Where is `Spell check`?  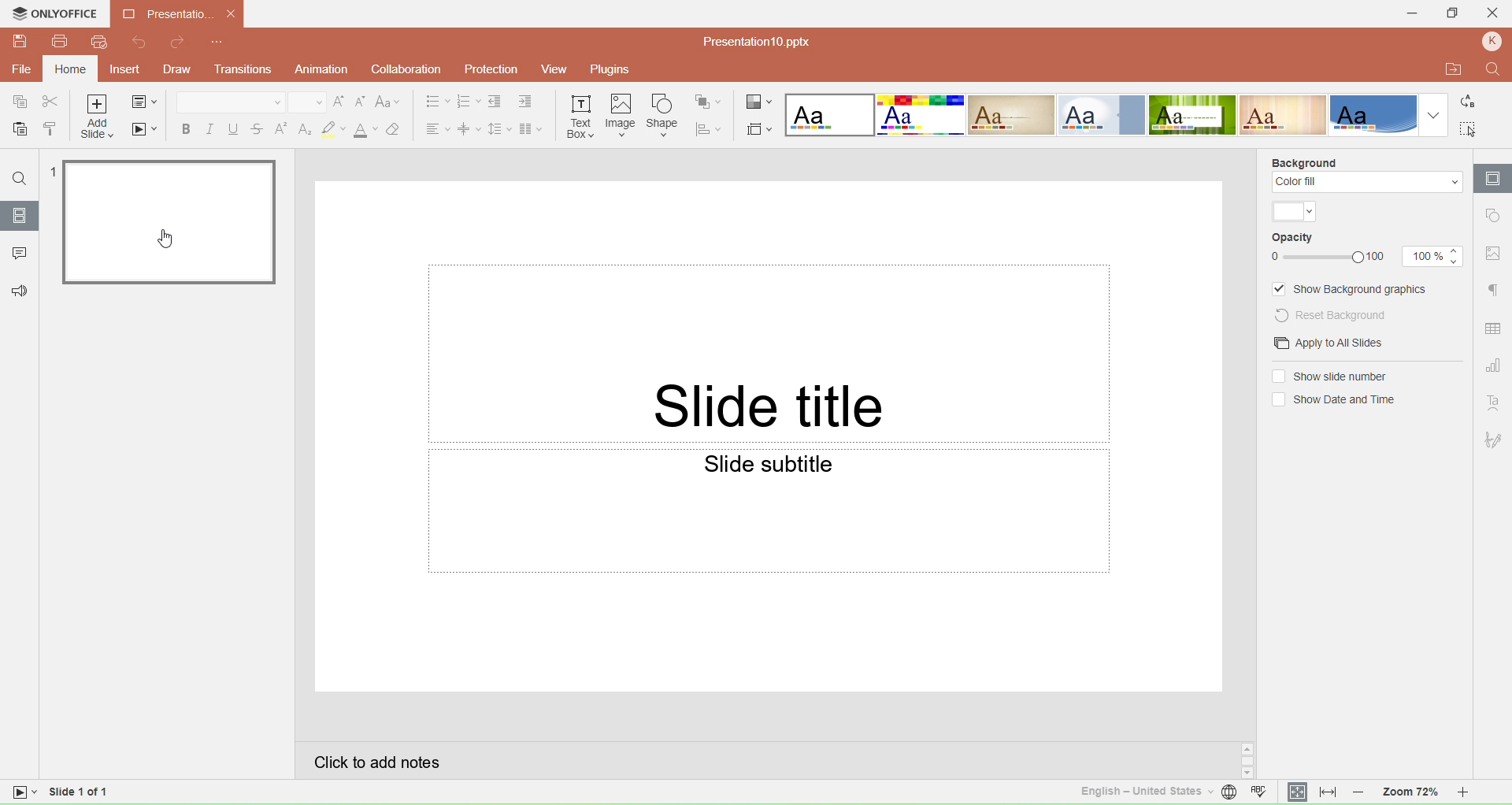 Spell check is located at coordinates (1262, 793).